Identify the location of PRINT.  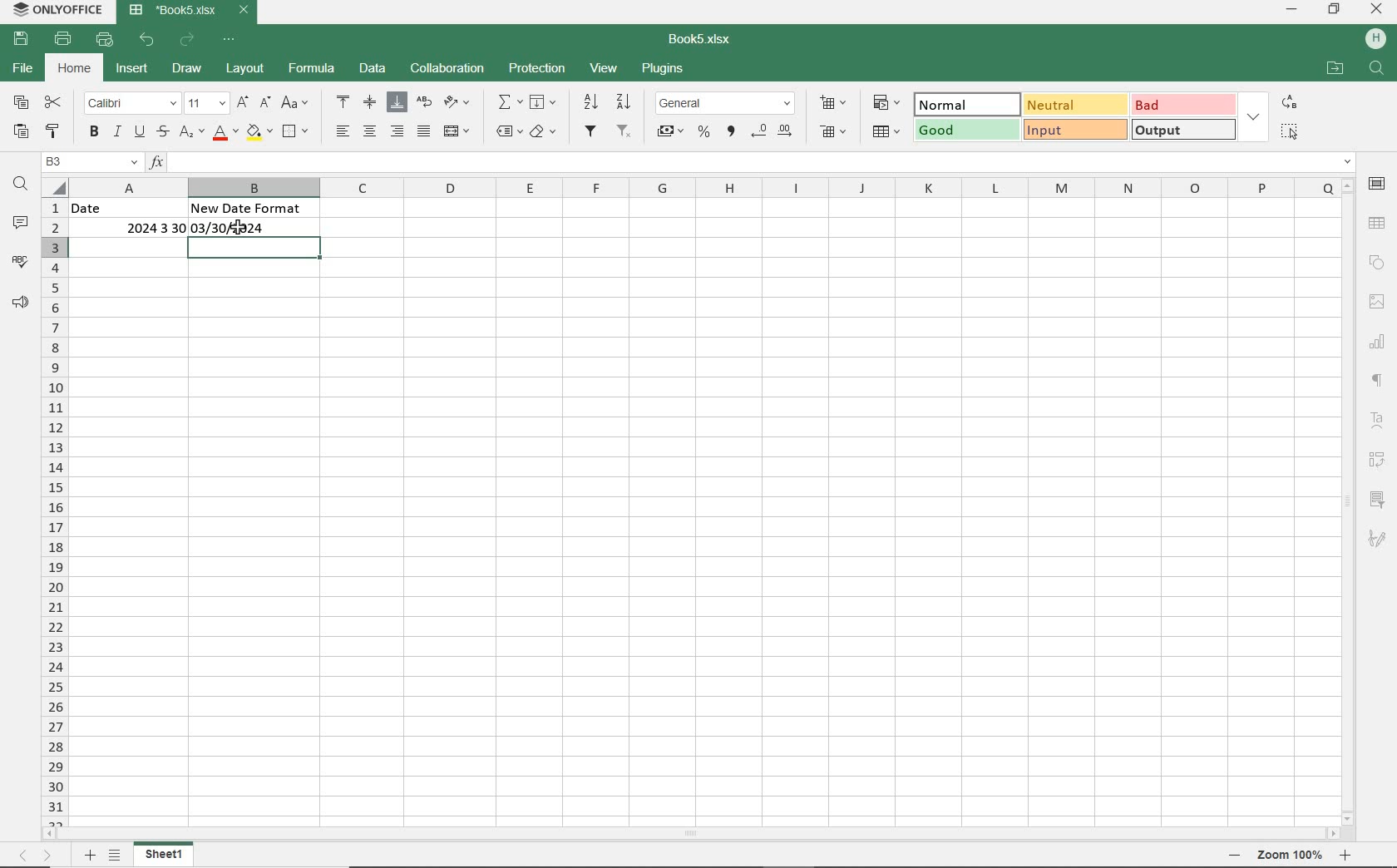
(63, 37).